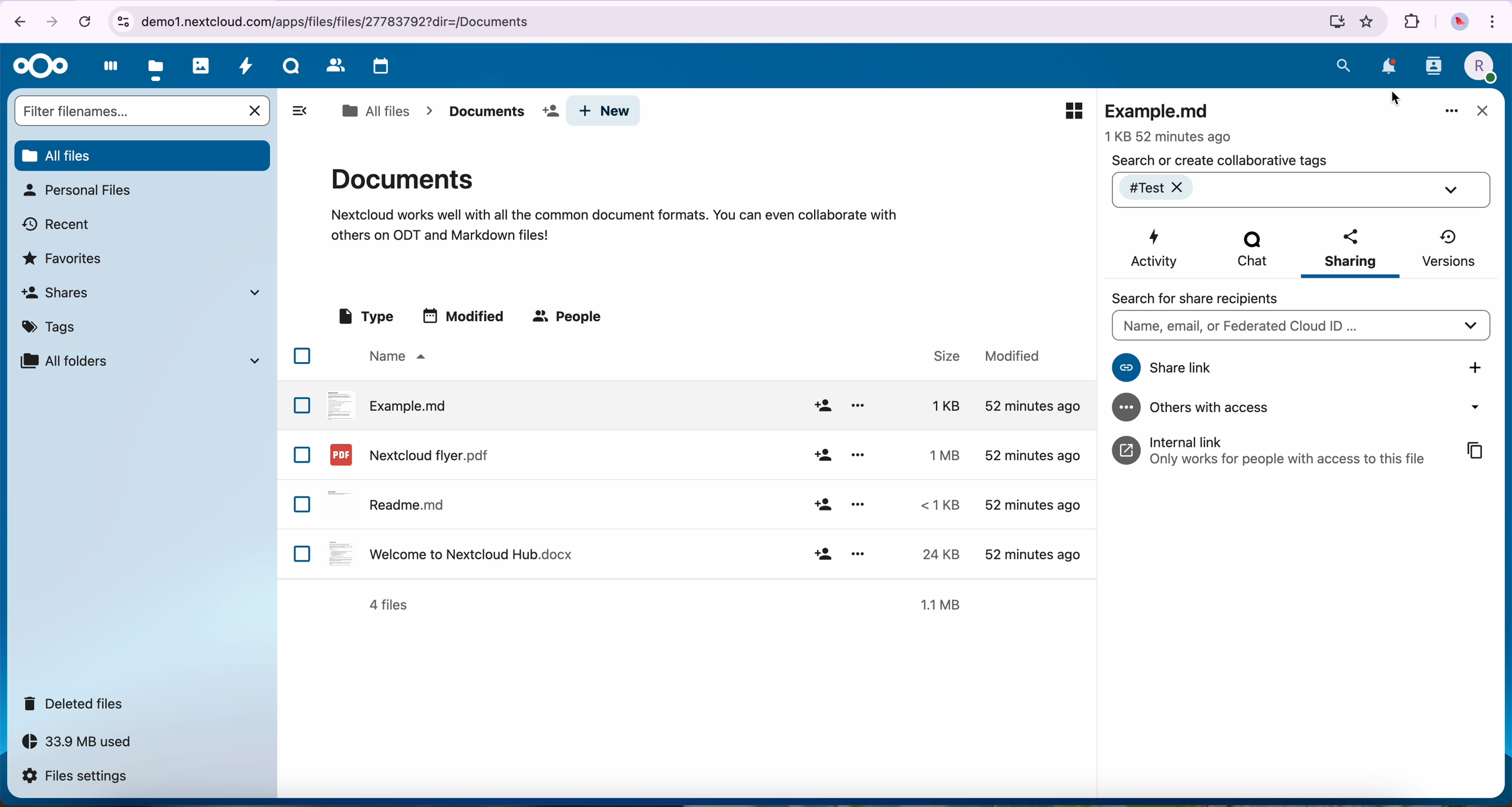 Image resolution: width=1512 pixels, height=807 pixels. I want to click on modified, so click(466, 315).